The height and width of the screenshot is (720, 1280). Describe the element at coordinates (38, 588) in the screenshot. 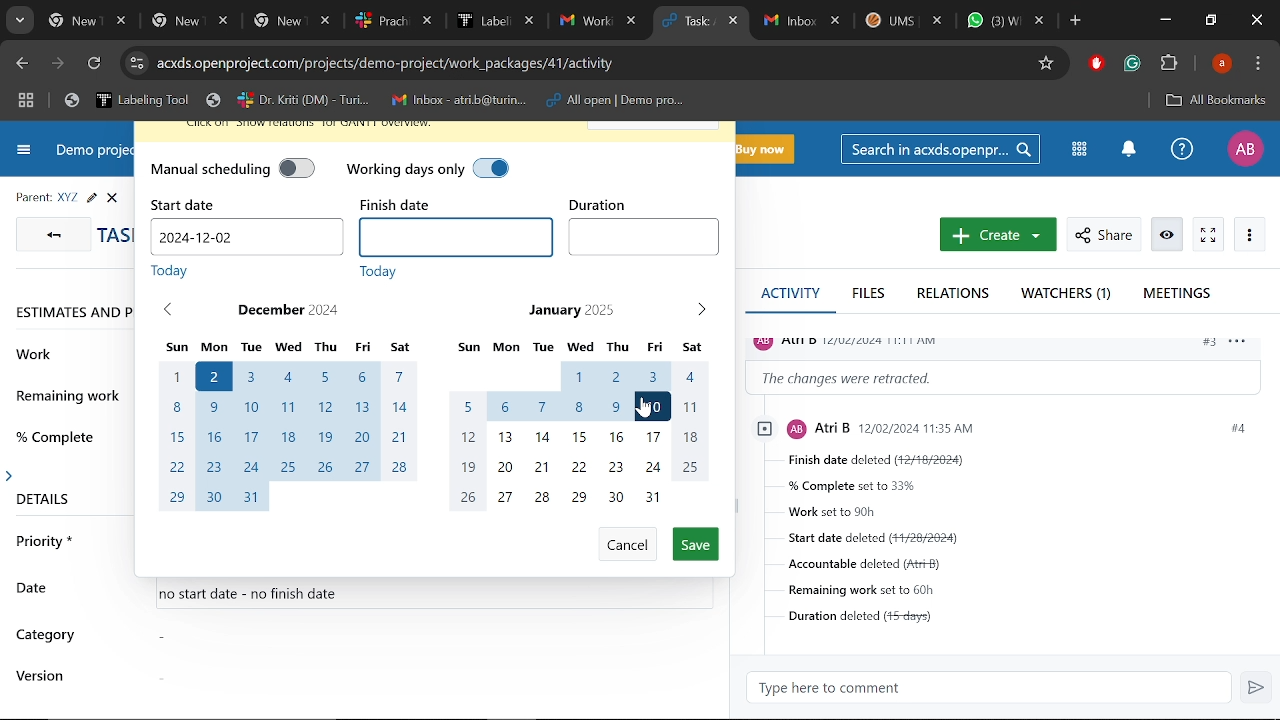

I see `date` at that location.